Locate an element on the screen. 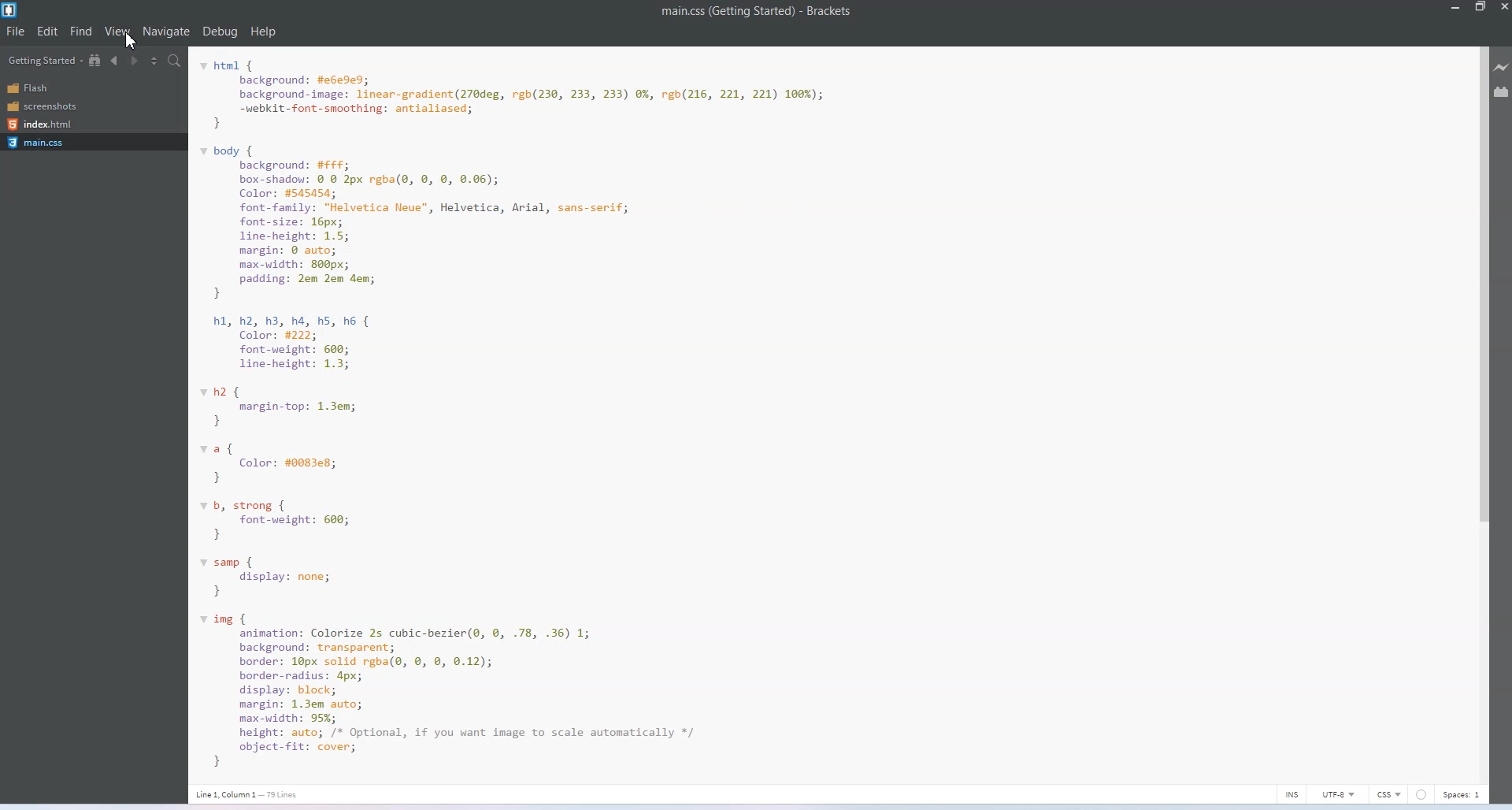  main.css (Getting started)-Brackets is located at coordinates (762, 13).